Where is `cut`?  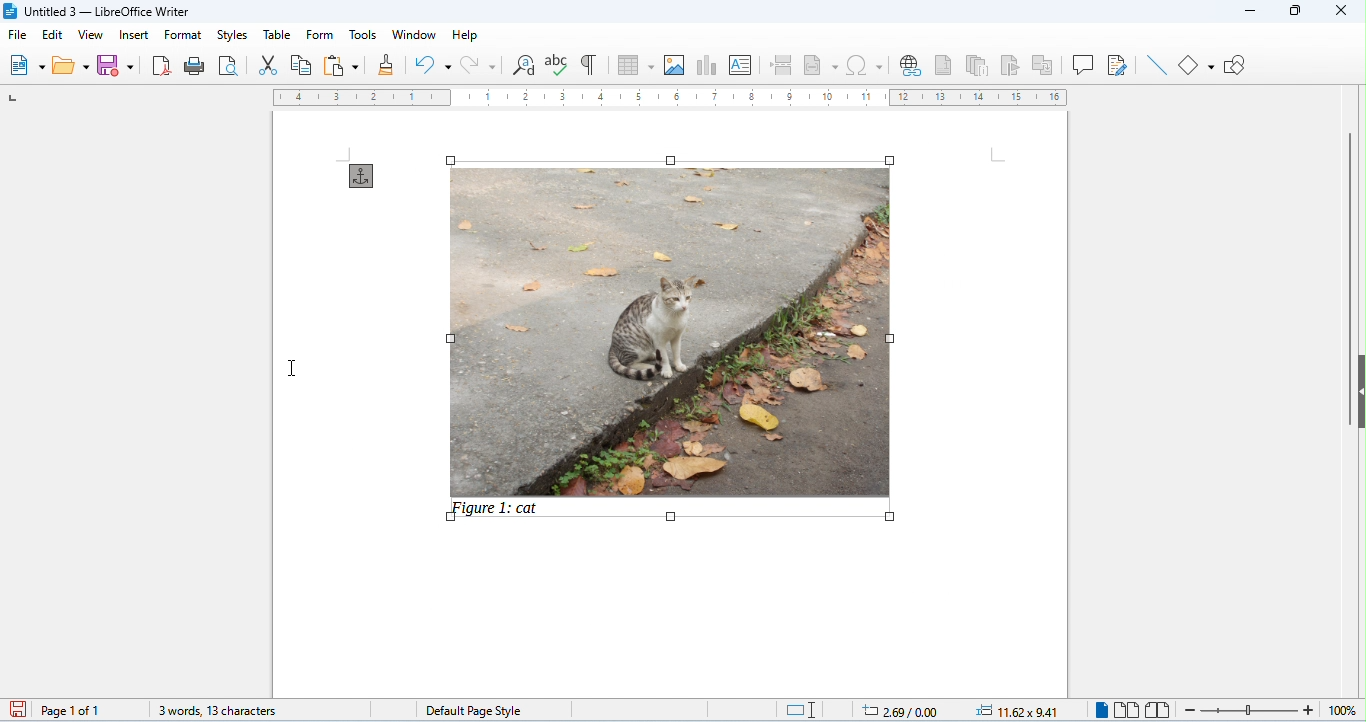 cut is located at coordinates (268, 66).